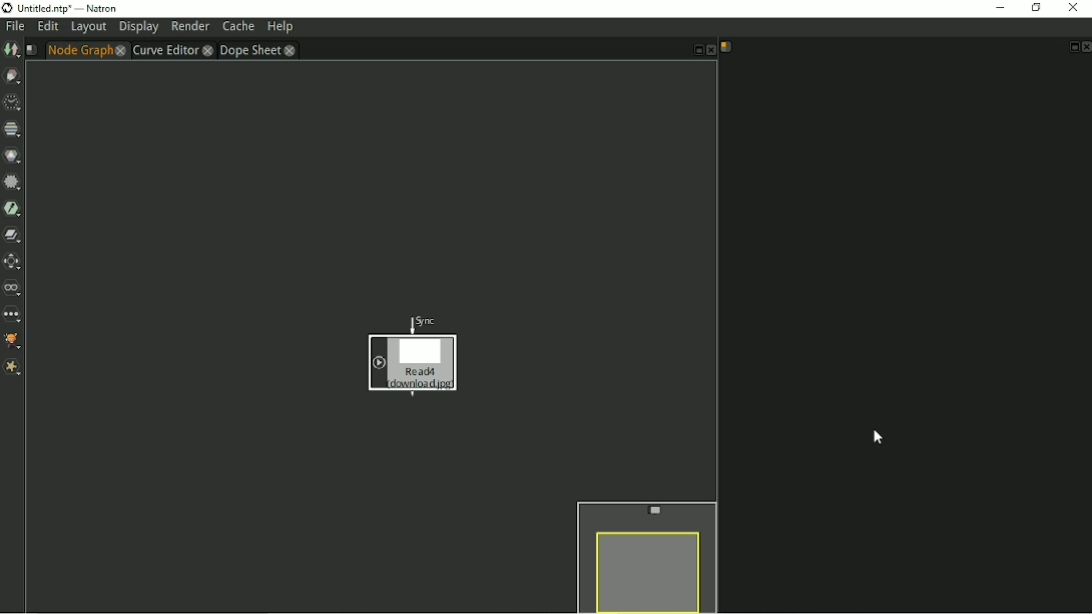  Describe the element at coordinates (258, 50) in the screenshot. I see `Dope sheet` at that location.